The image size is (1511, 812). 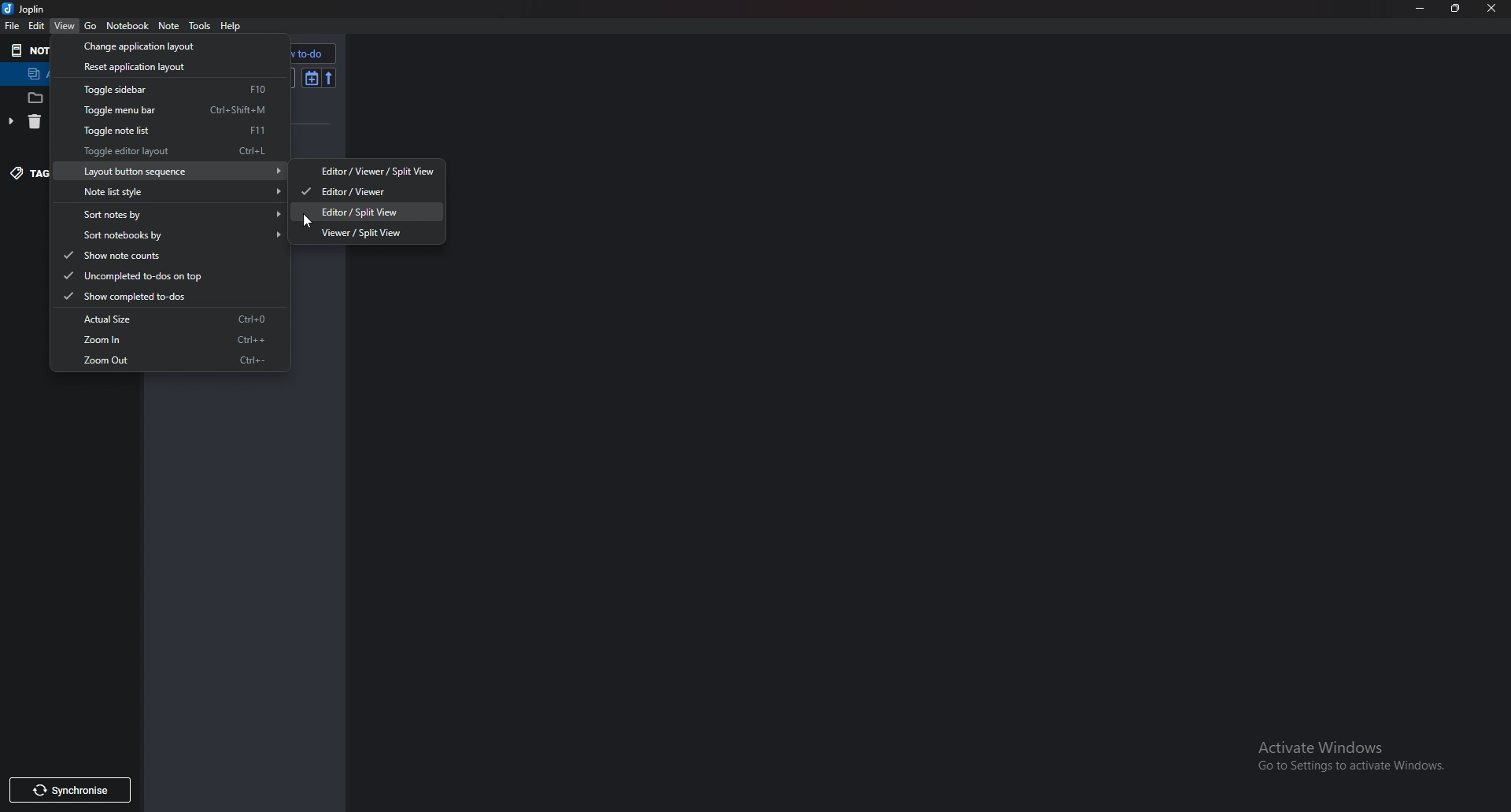 I want to click on uncompleted to do's on top, so click(x=159, y=275).